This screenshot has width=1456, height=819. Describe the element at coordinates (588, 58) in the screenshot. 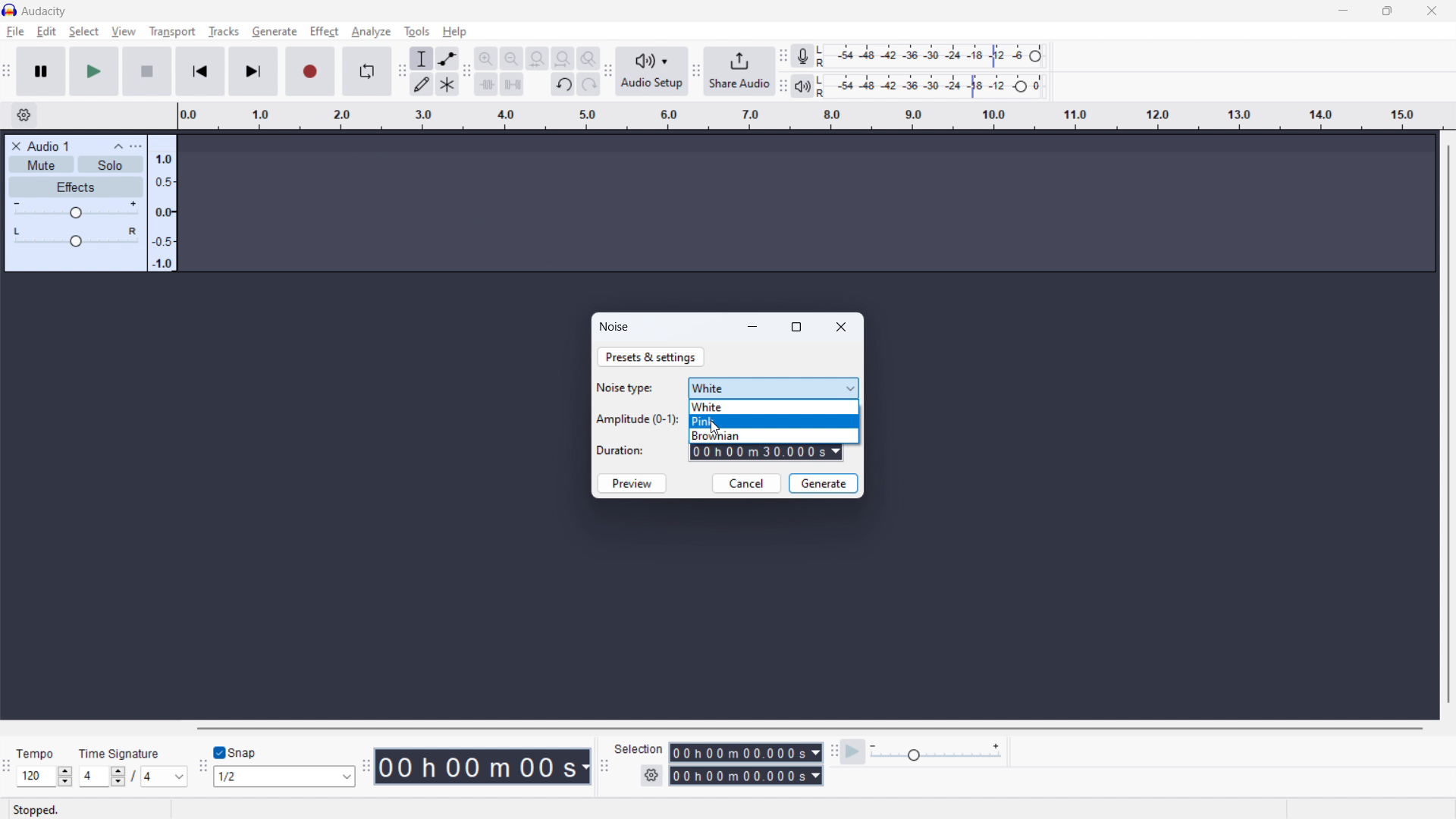

I see `toggle zoom` at that location.